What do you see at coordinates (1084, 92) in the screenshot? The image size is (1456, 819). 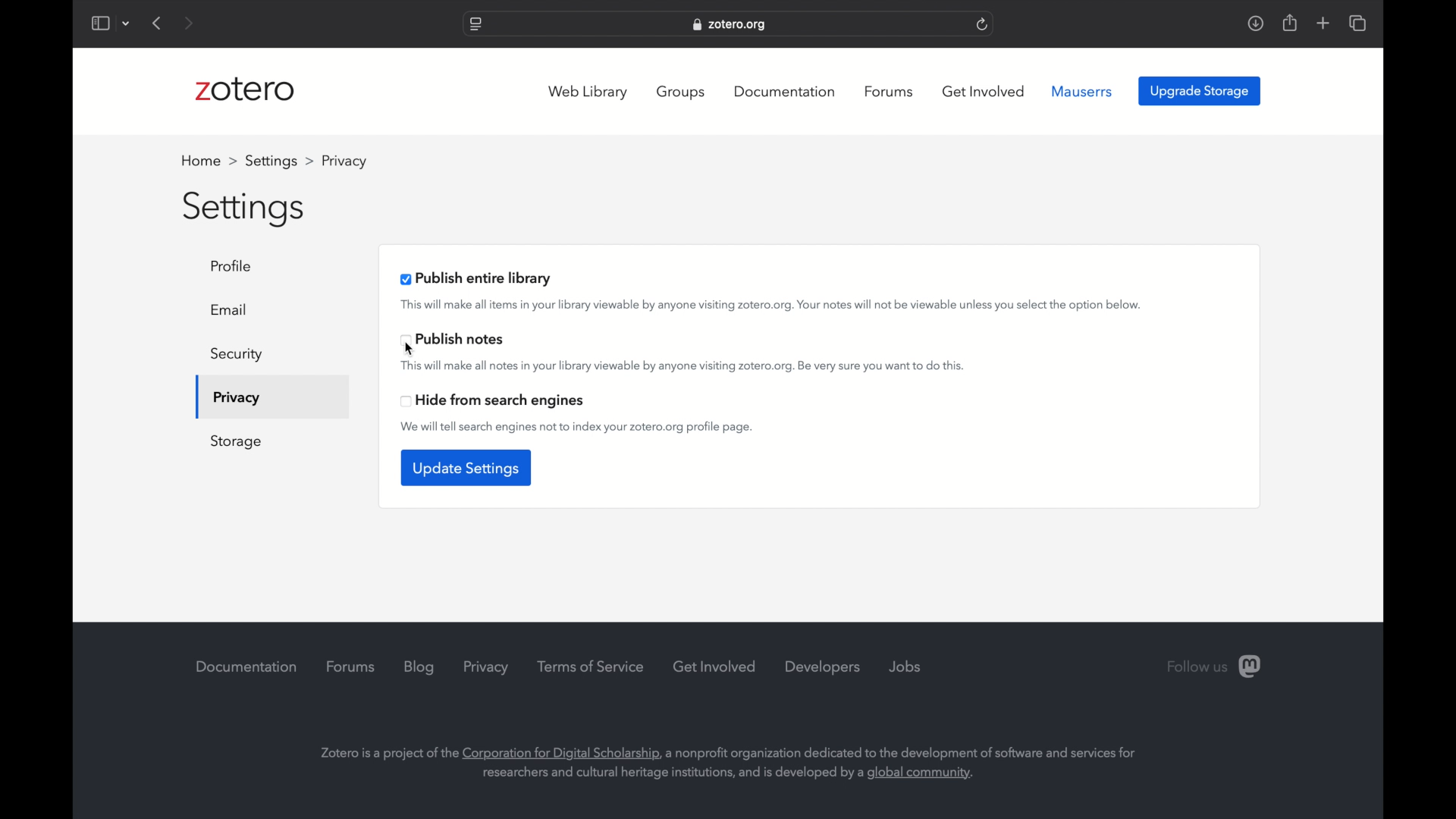 I see `mauserrs` at bounding box center [1084, 92].